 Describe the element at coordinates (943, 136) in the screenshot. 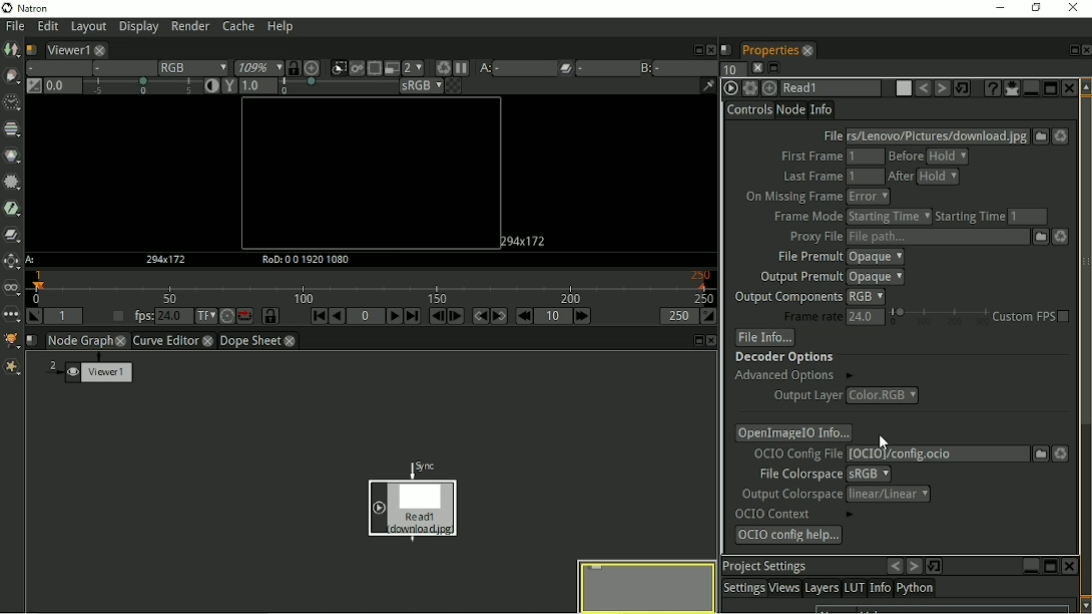

I see `File` at that location.